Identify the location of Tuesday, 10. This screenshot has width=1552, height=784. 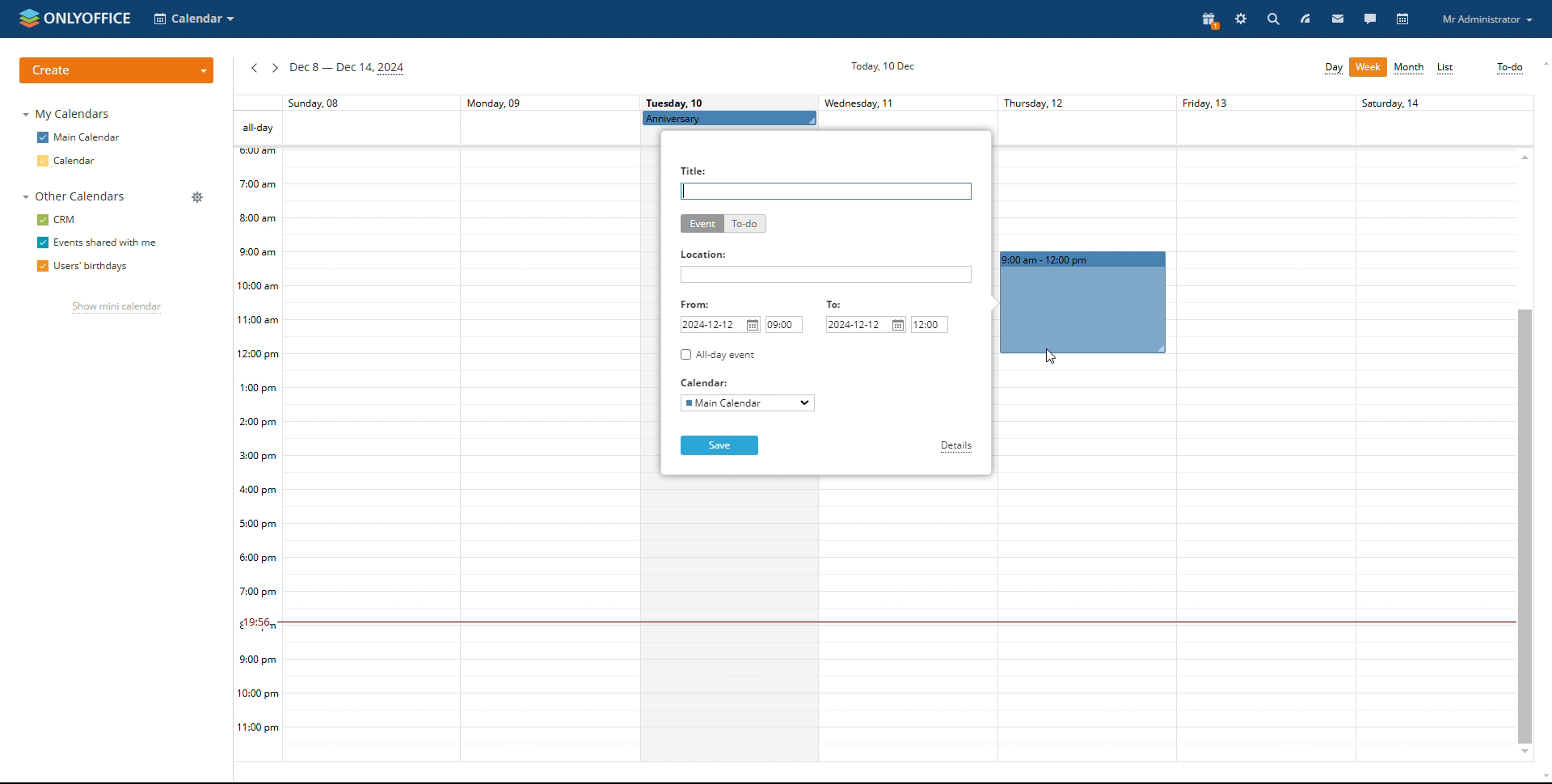
(677, 102).